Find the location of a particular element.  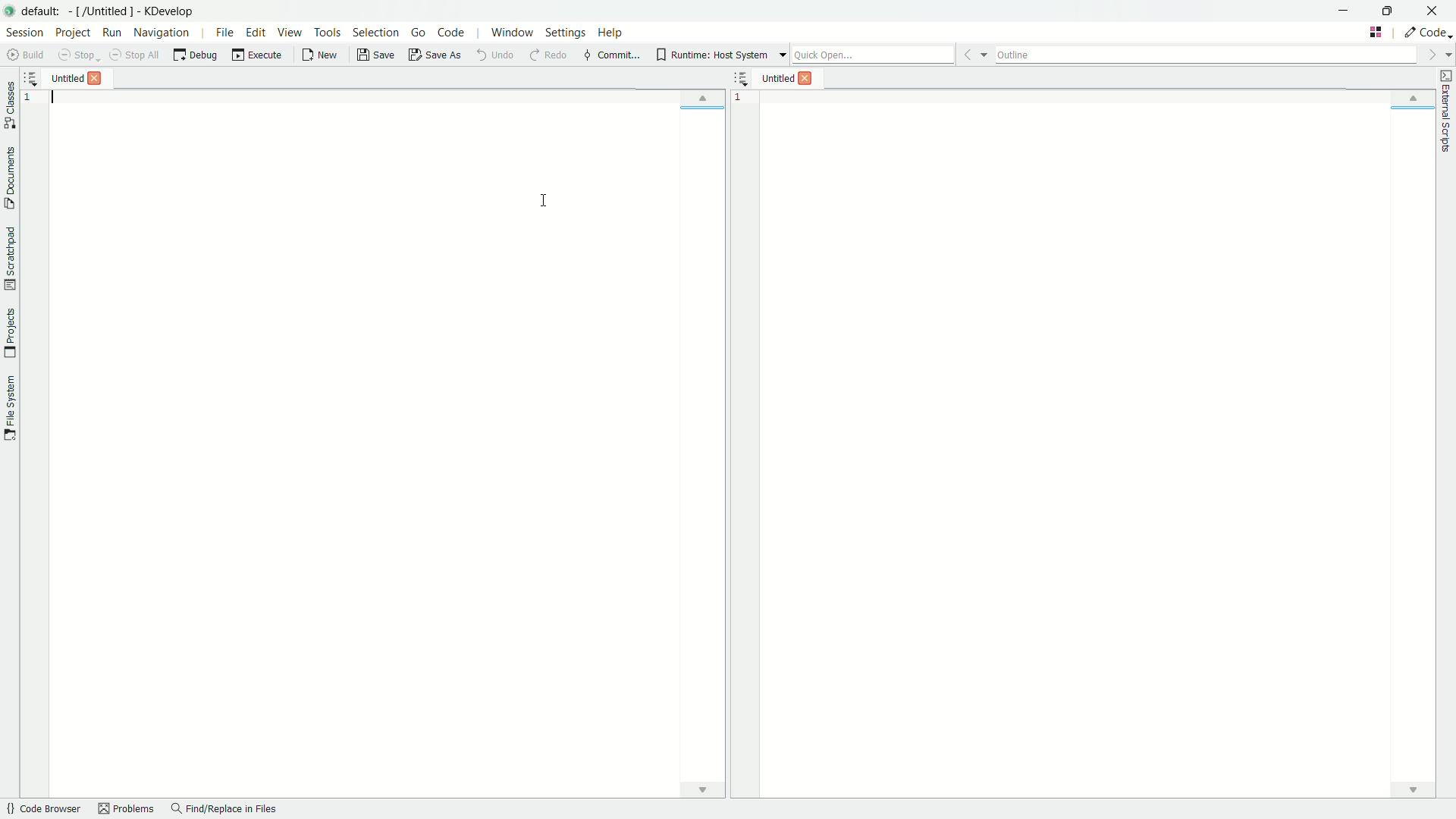

execute actions to change the area is located at coordinates (1428, 34).